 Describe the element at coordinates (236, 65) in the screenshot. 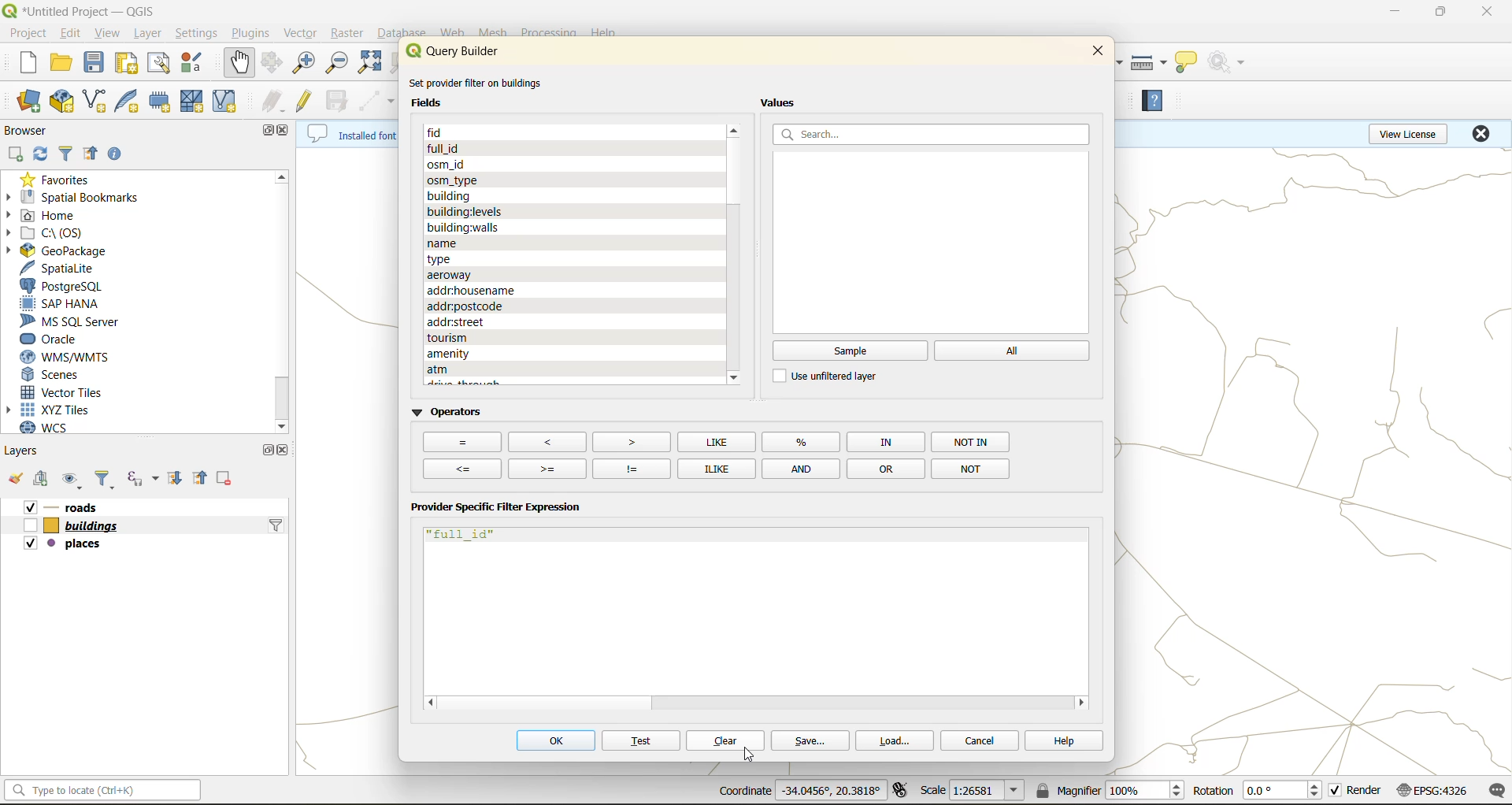

I see `pan map` at that location.